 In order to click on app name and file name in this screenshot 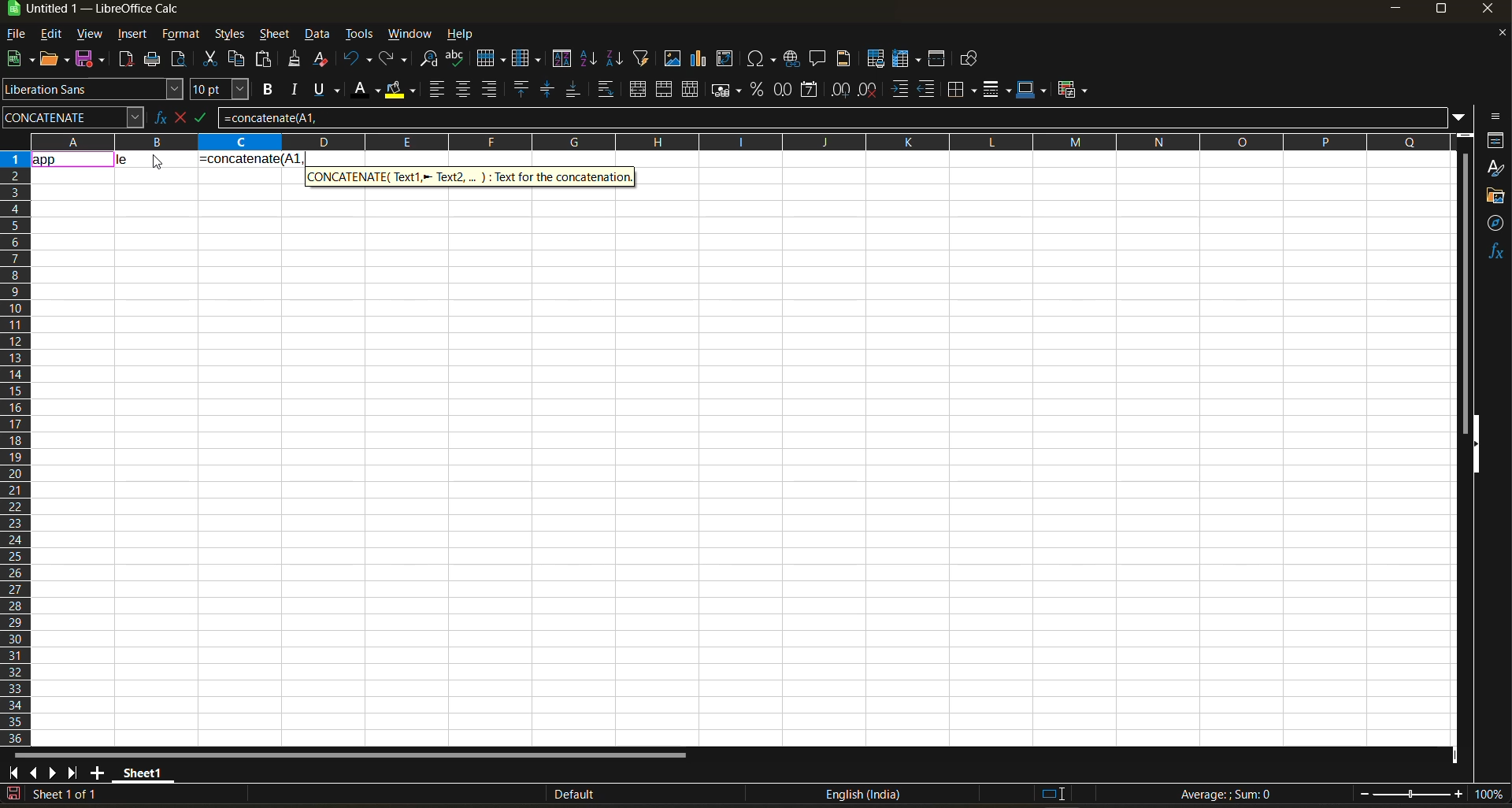, I will do `click(109, 12)`.